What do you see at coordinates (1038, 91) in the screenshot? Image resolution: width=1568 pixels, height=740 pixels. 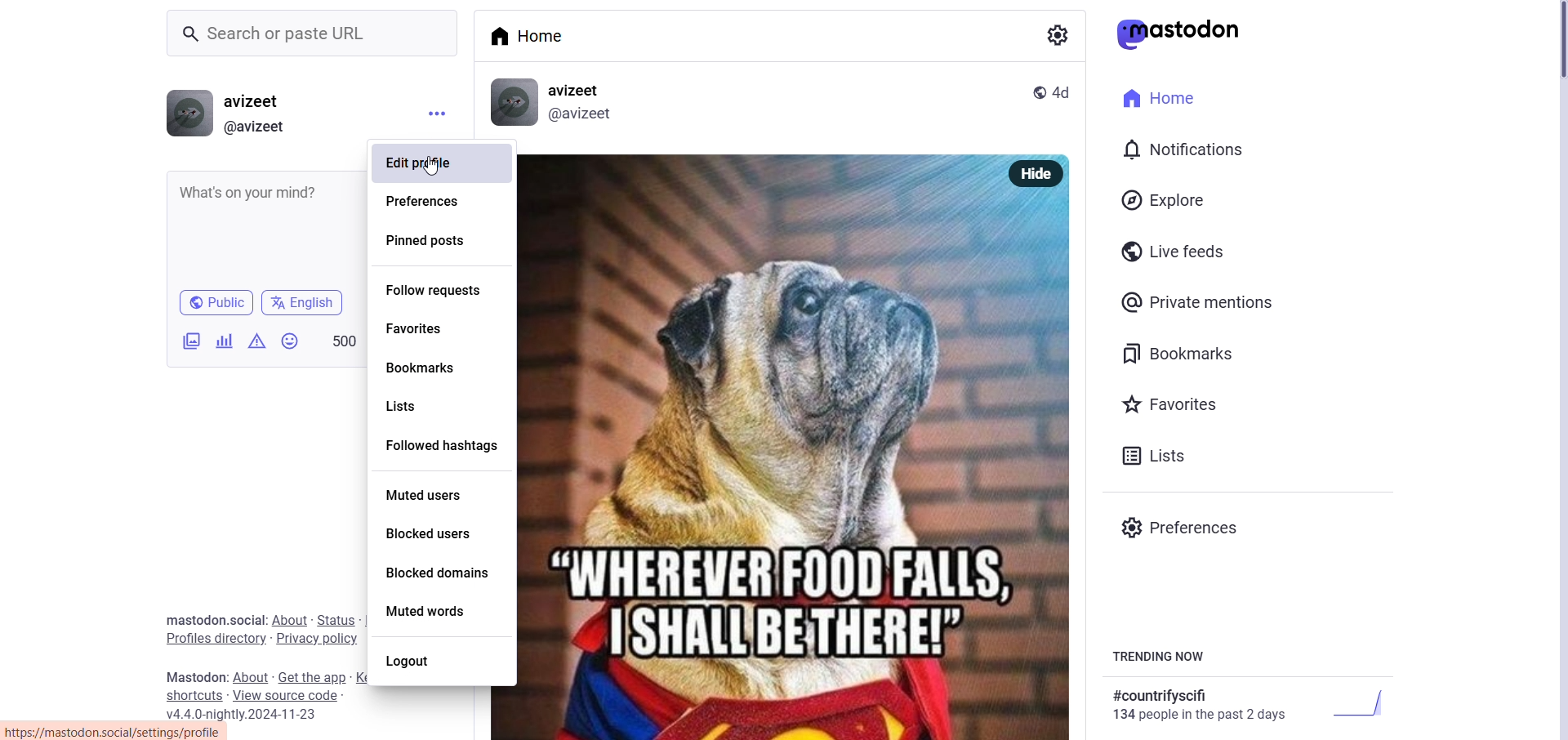 I see `public` at bounding box center [1038, 91].